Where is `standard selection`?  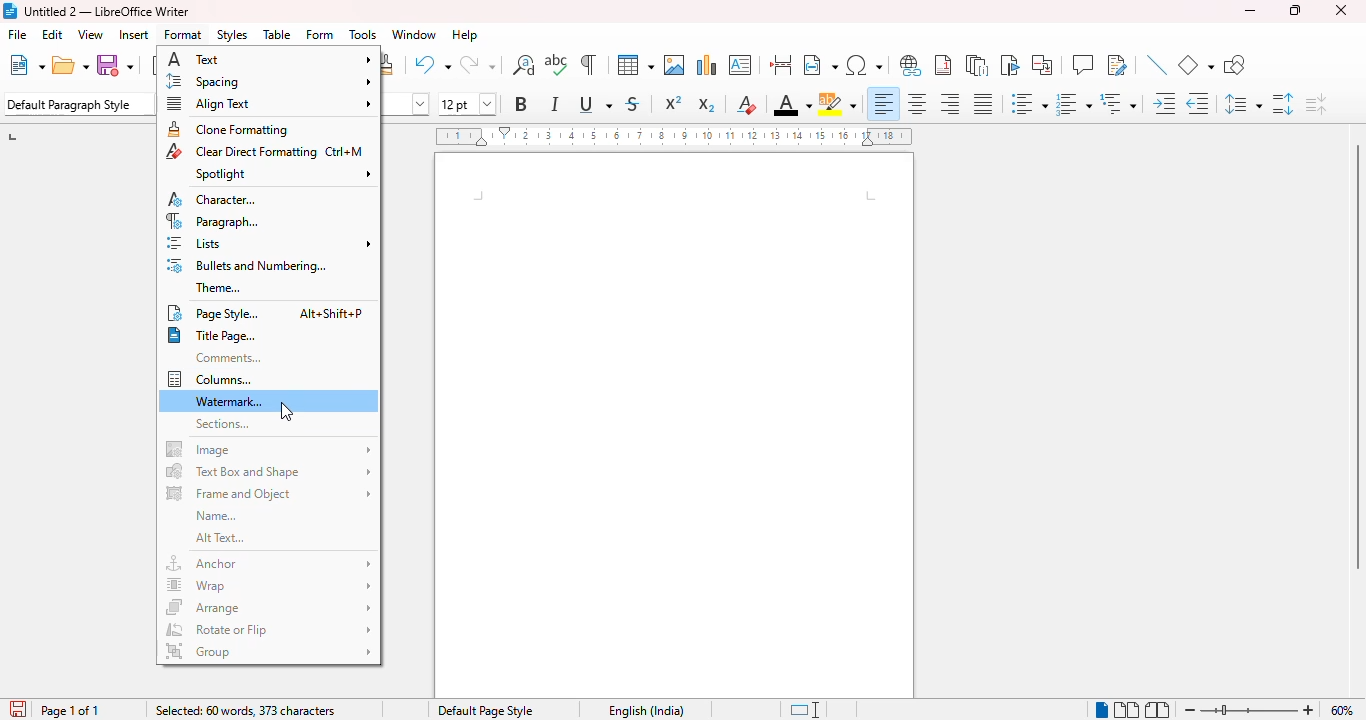
standard selection is located at coordinates (806, 710).